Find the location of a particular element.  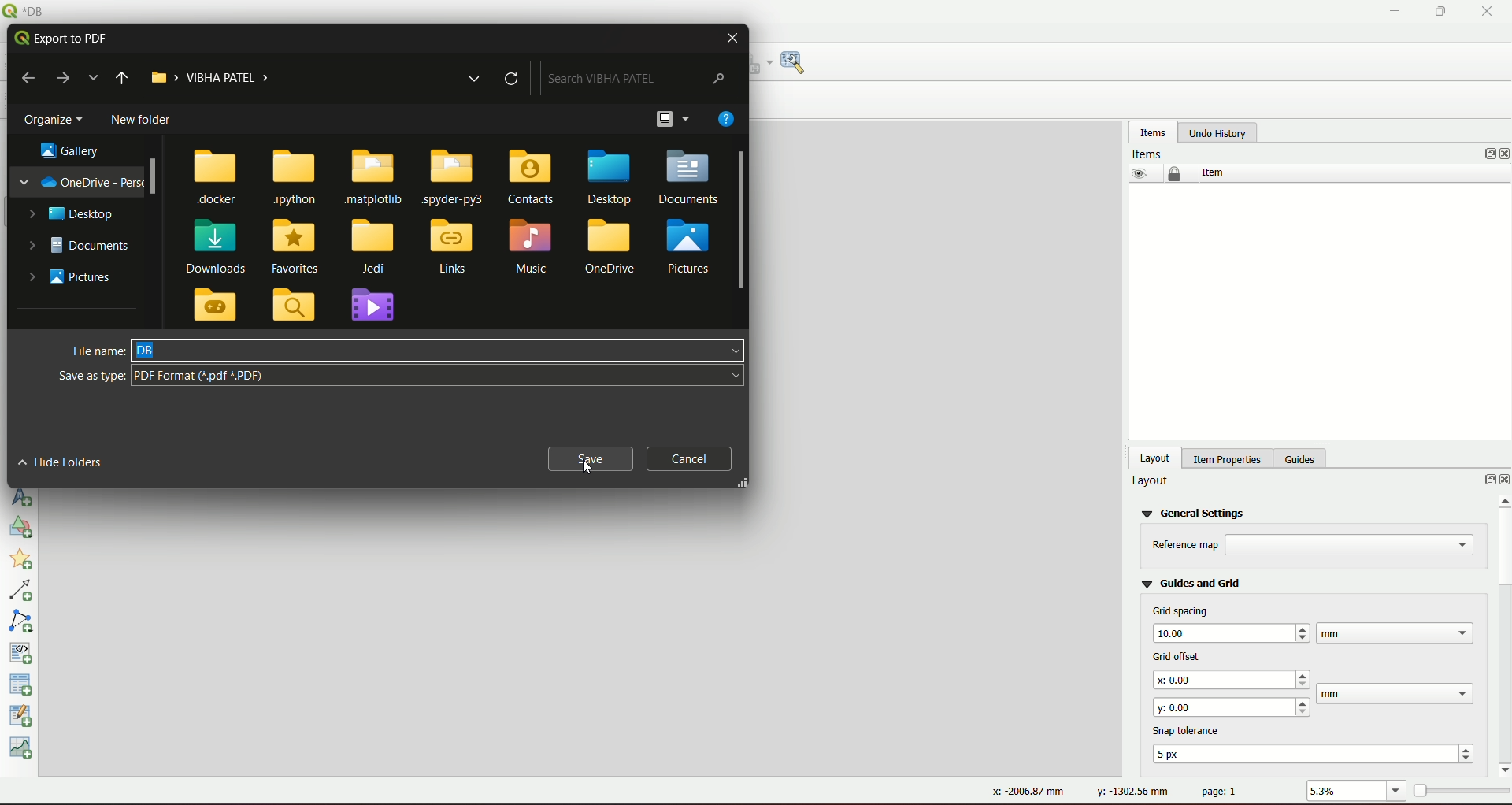

organize is located at coordinates (57, 119).